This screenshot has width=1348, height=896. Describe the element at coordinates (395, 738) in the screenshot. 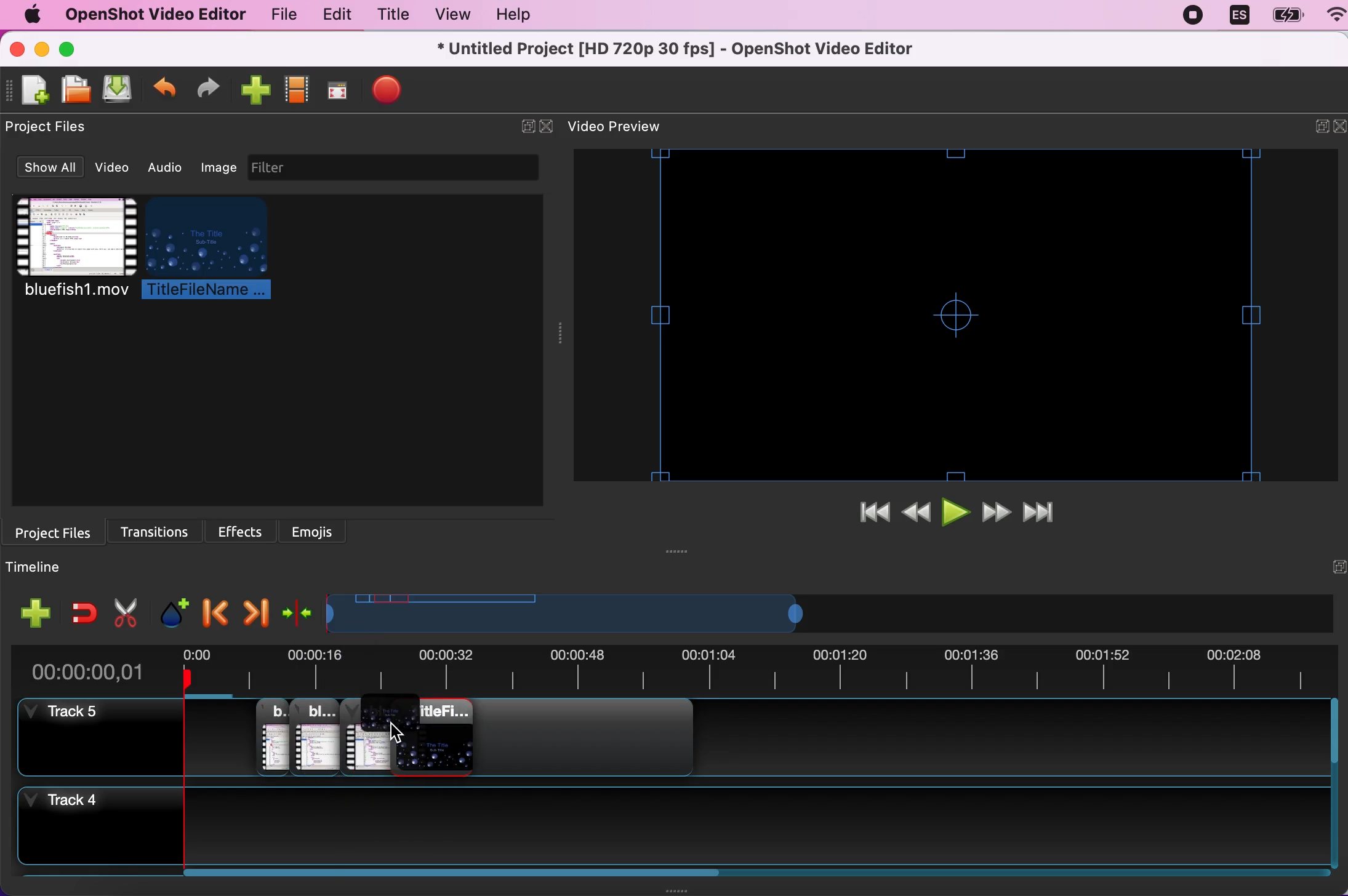

I see `cursor on track 5` at that location.